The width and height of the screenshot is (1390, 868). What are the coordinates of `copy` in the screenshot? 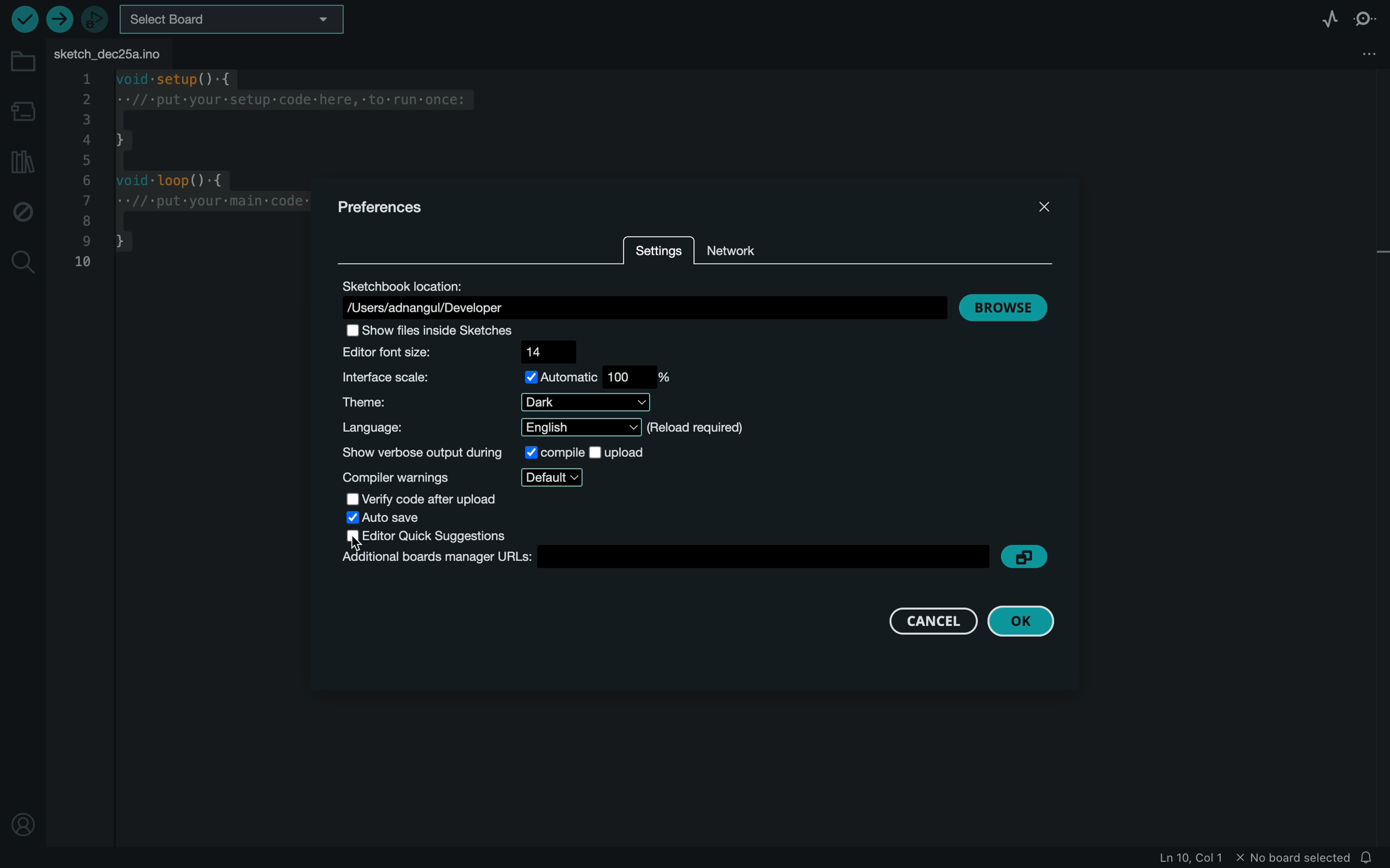 It's located at (1024, 556).